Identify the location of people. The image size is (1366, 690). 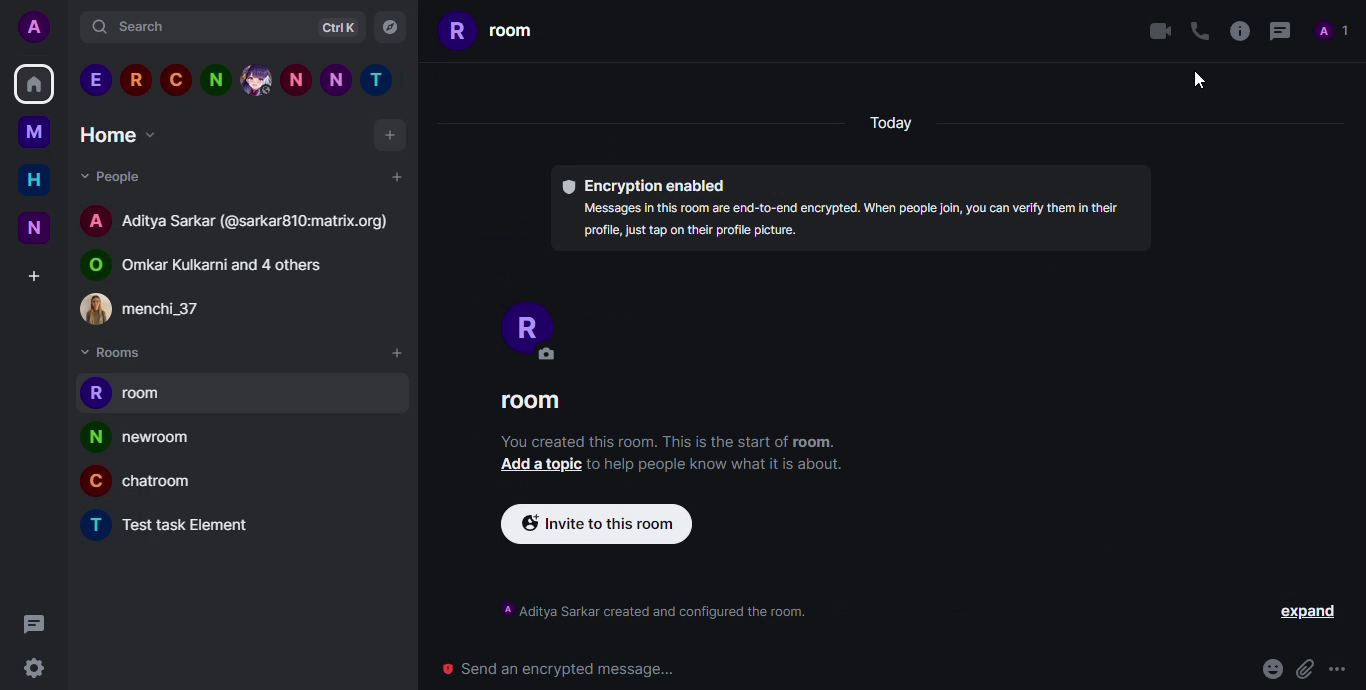
(111, 175).